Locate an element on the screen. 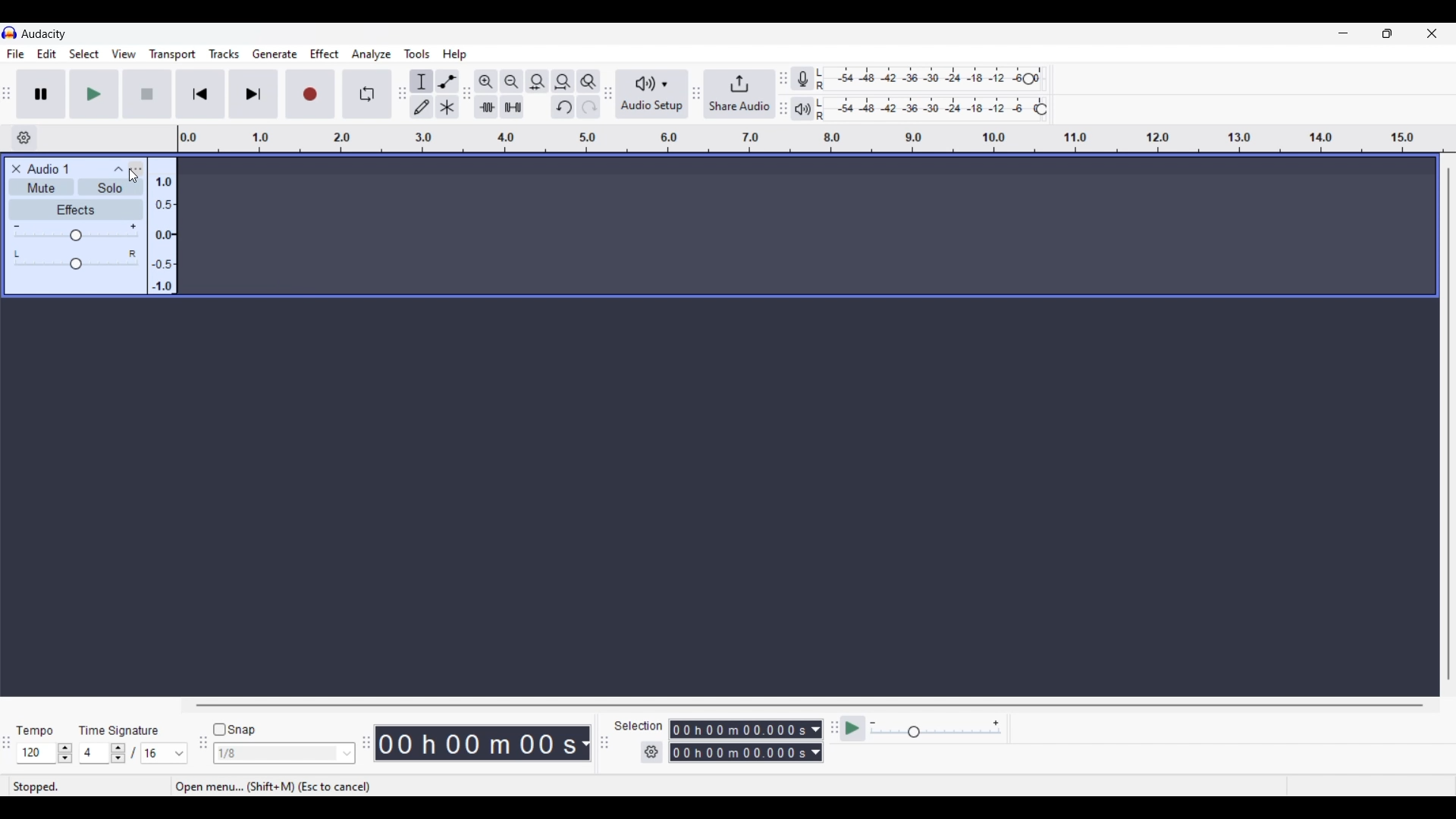 Image resolution: width=1456 pixels, height=819 pixels. Enable looping is located at coordinates (368, 94).